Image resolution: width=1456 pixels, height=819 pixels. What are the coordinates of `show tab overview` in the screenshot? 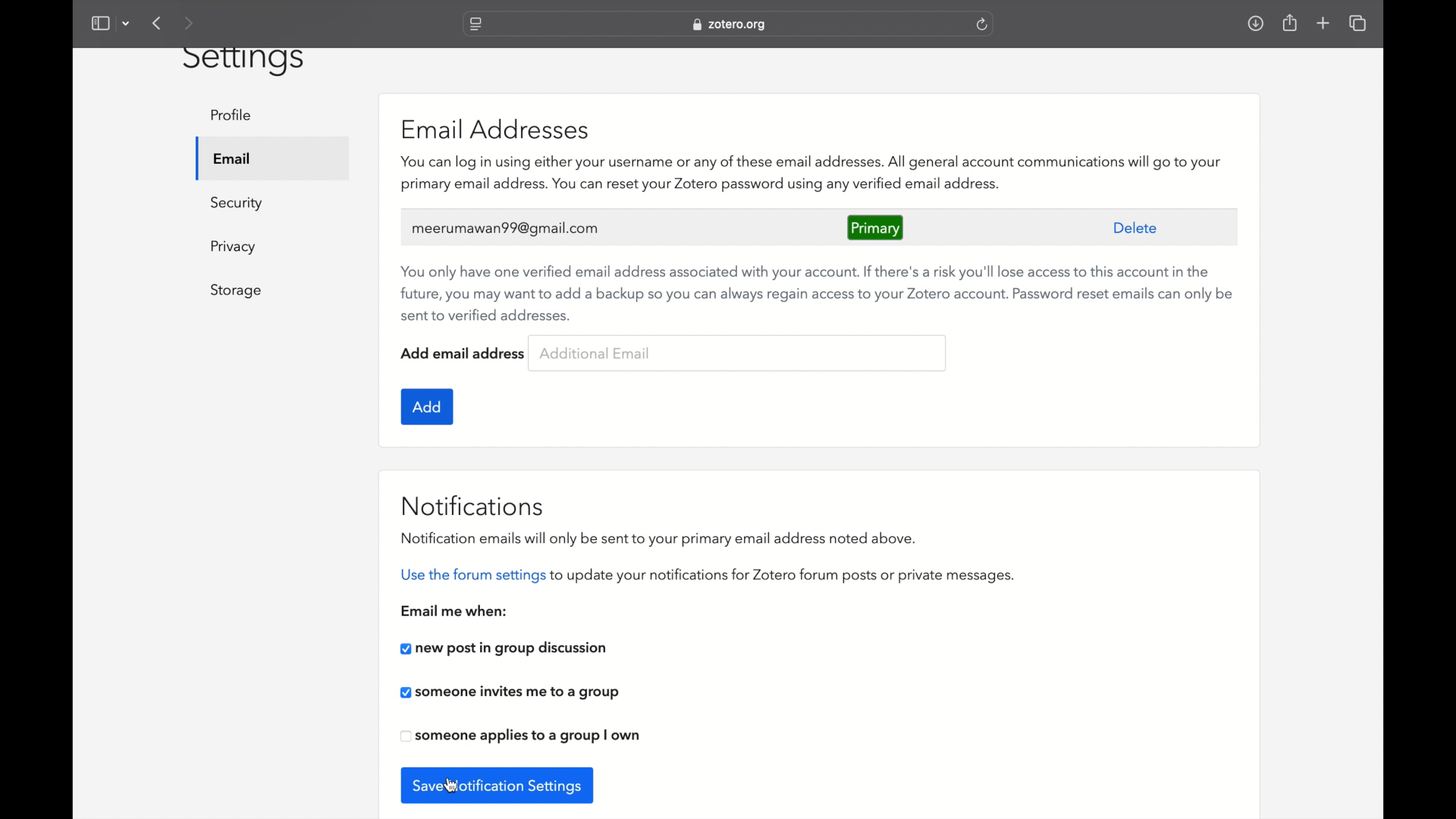 It's located at (1357, 23).